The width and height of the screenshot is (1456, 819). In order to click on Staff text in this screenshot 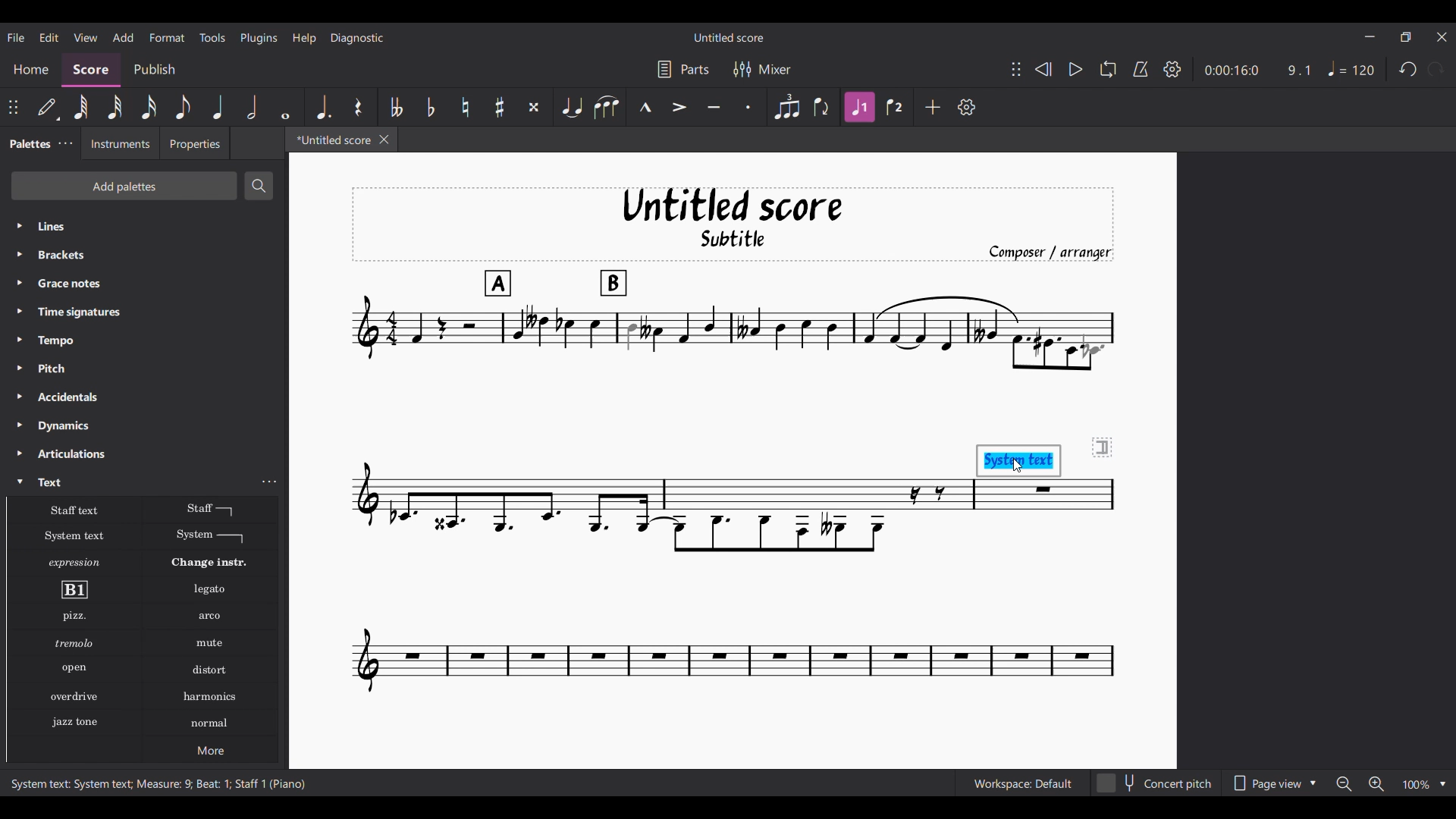, I will do `click(75, 509)`.